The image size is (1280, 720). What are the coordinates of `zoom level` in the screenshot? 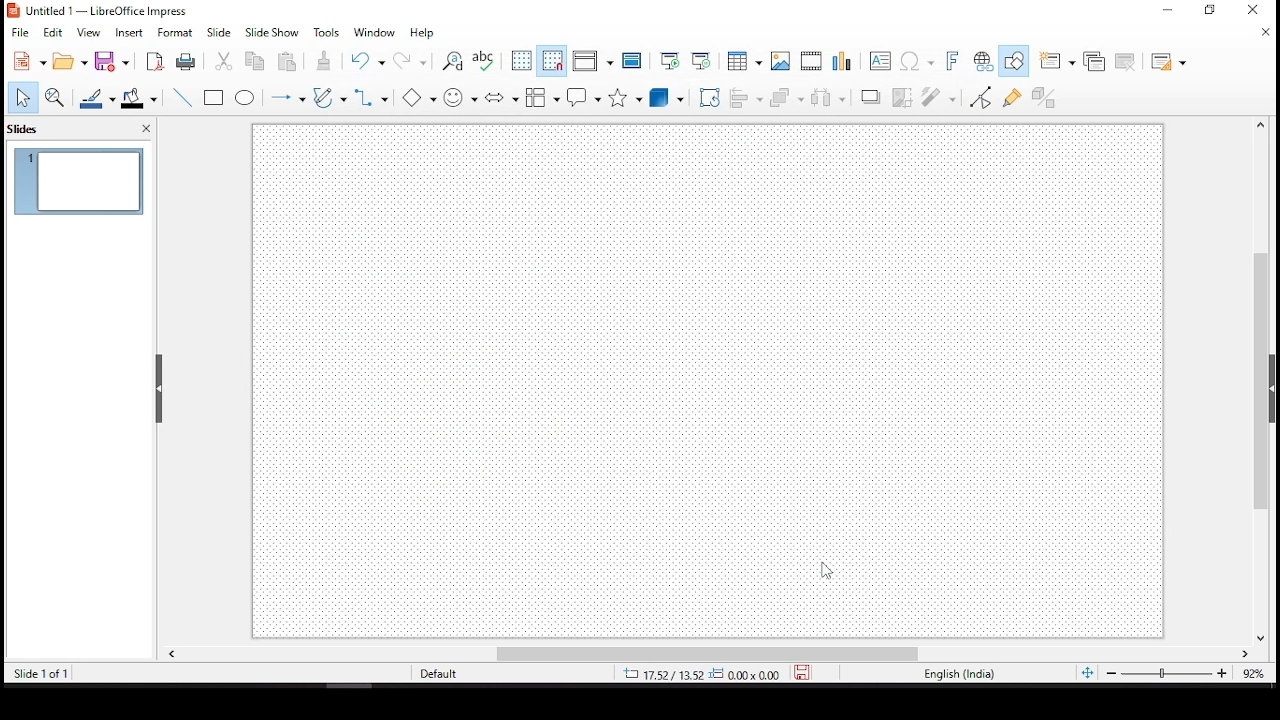 It's located at (1247, 671).